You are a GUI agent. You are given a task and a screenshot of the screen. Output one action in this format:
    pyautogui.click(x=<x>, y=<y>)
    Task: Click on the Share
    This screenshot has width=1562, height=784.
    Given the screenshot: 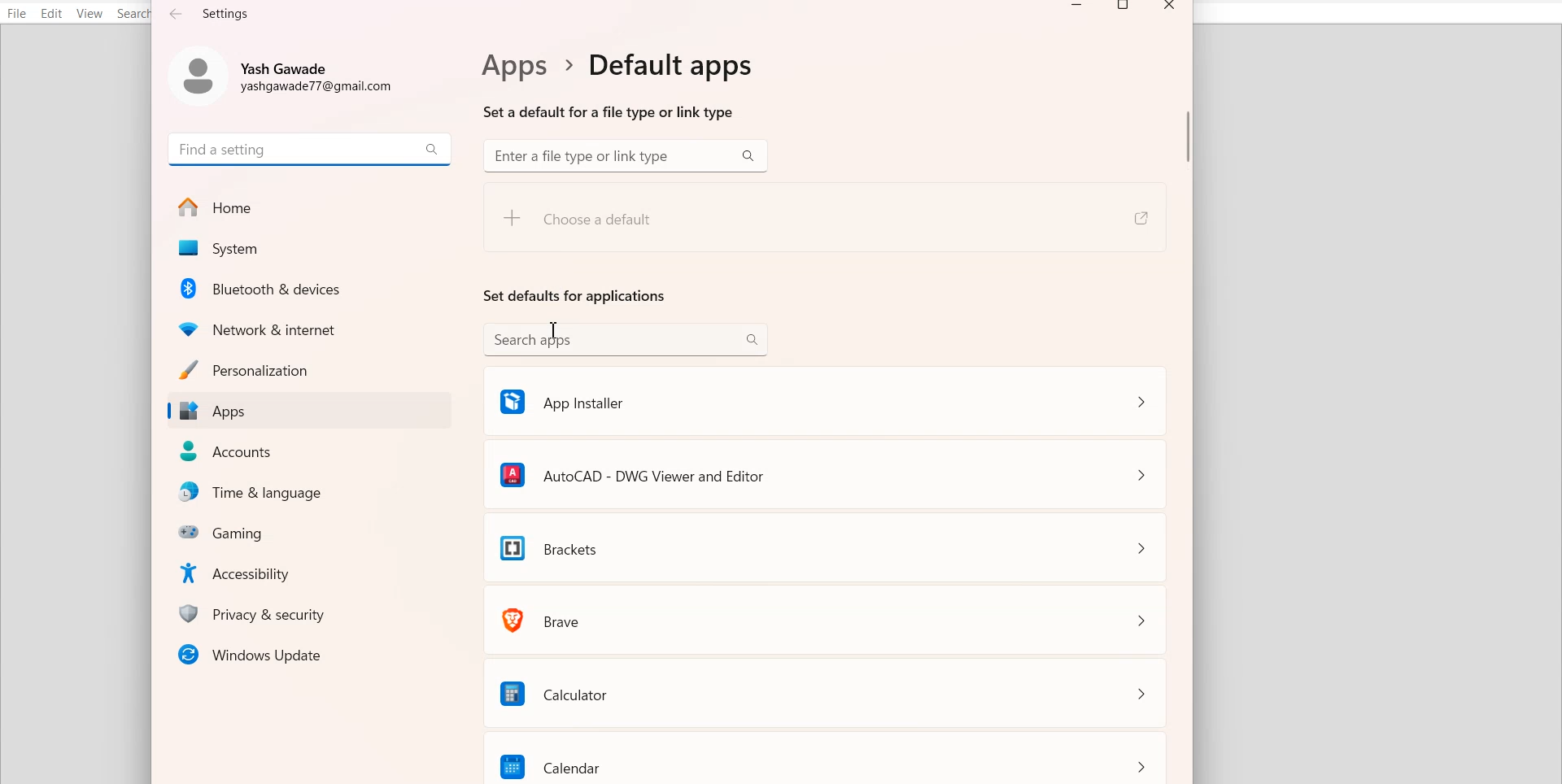 What is the action you would take?
    pyautogui.click(x=1139, y=219)
    